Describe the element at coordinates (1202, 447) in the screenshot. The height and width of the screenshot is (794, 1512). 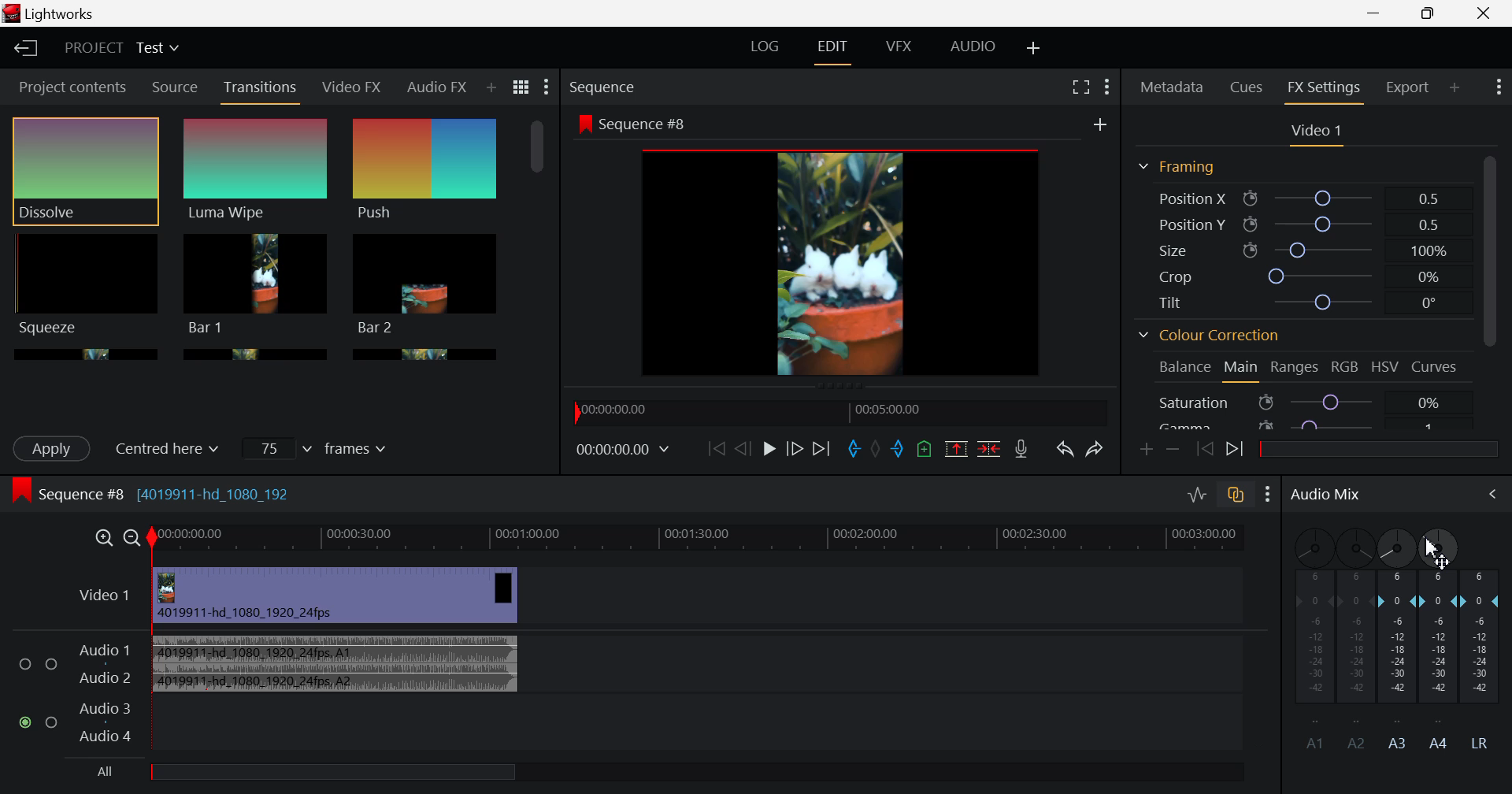
I see `Previous keyframe` at that location.